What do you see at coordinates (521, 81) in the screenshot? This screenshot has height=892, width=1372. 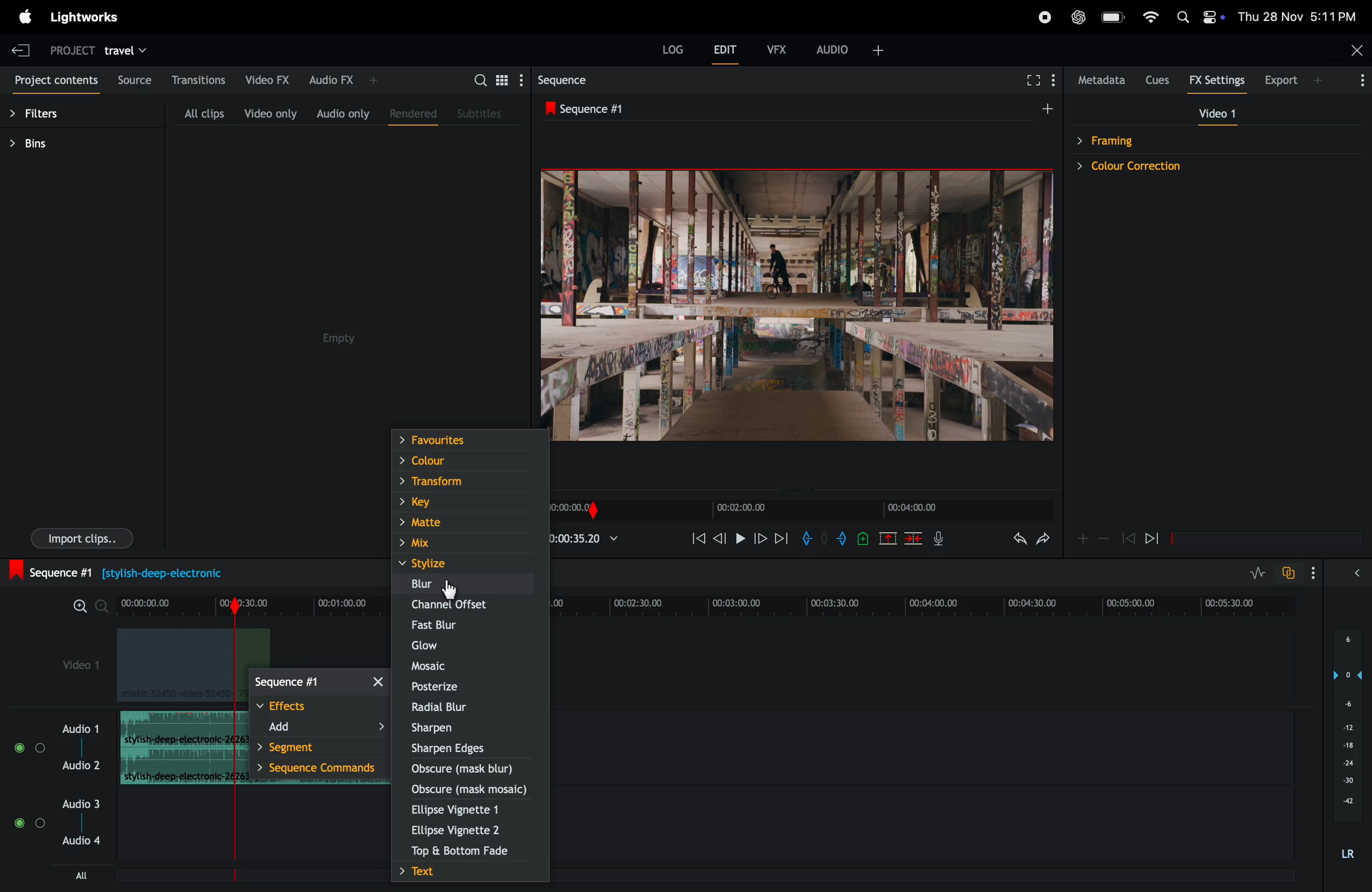 I see `show settings menu` at bounding box center [521, 81].